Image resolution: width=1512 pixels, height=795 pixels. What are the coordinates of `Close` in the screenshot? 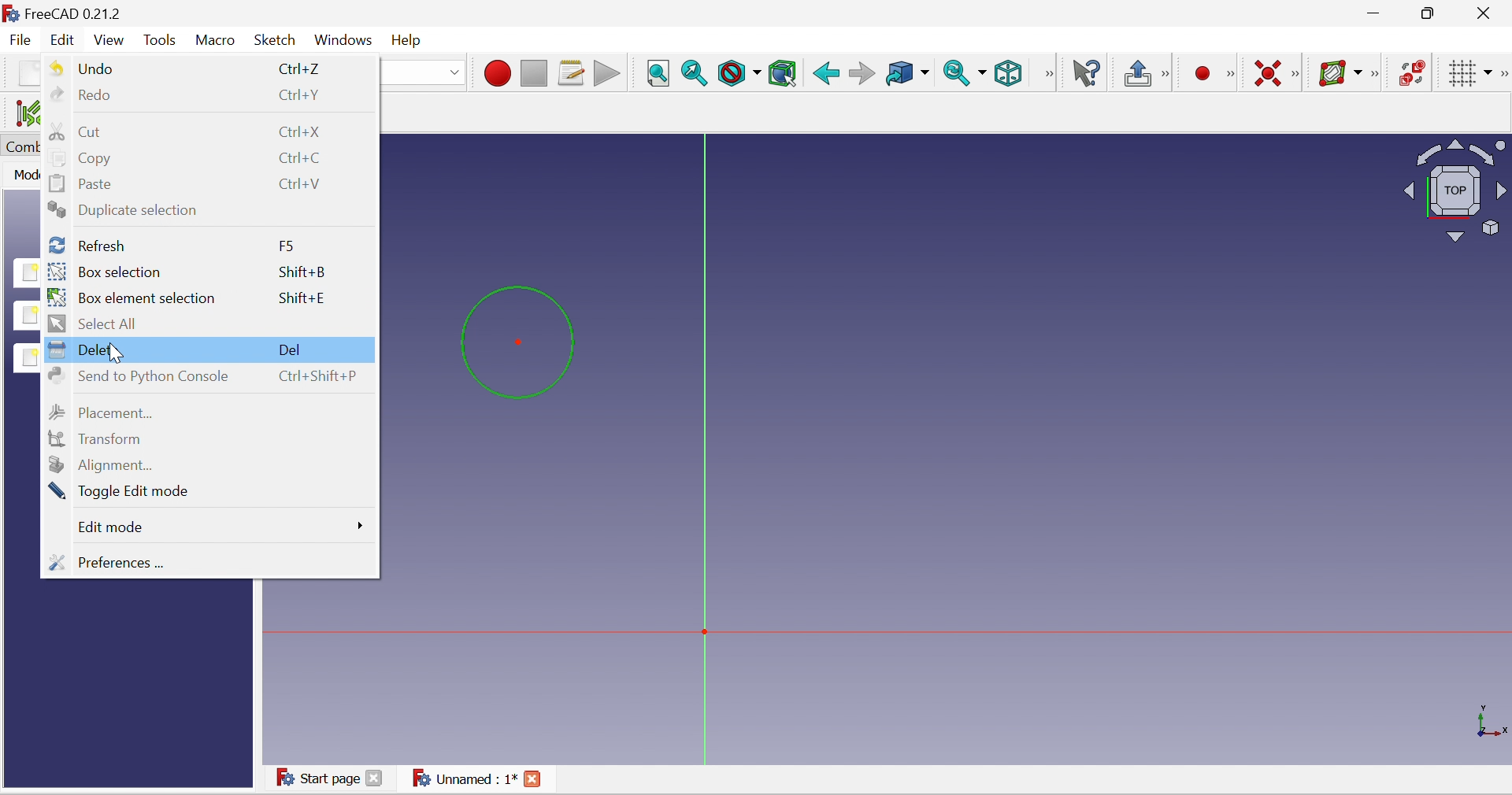 It's located at (1487, 15).